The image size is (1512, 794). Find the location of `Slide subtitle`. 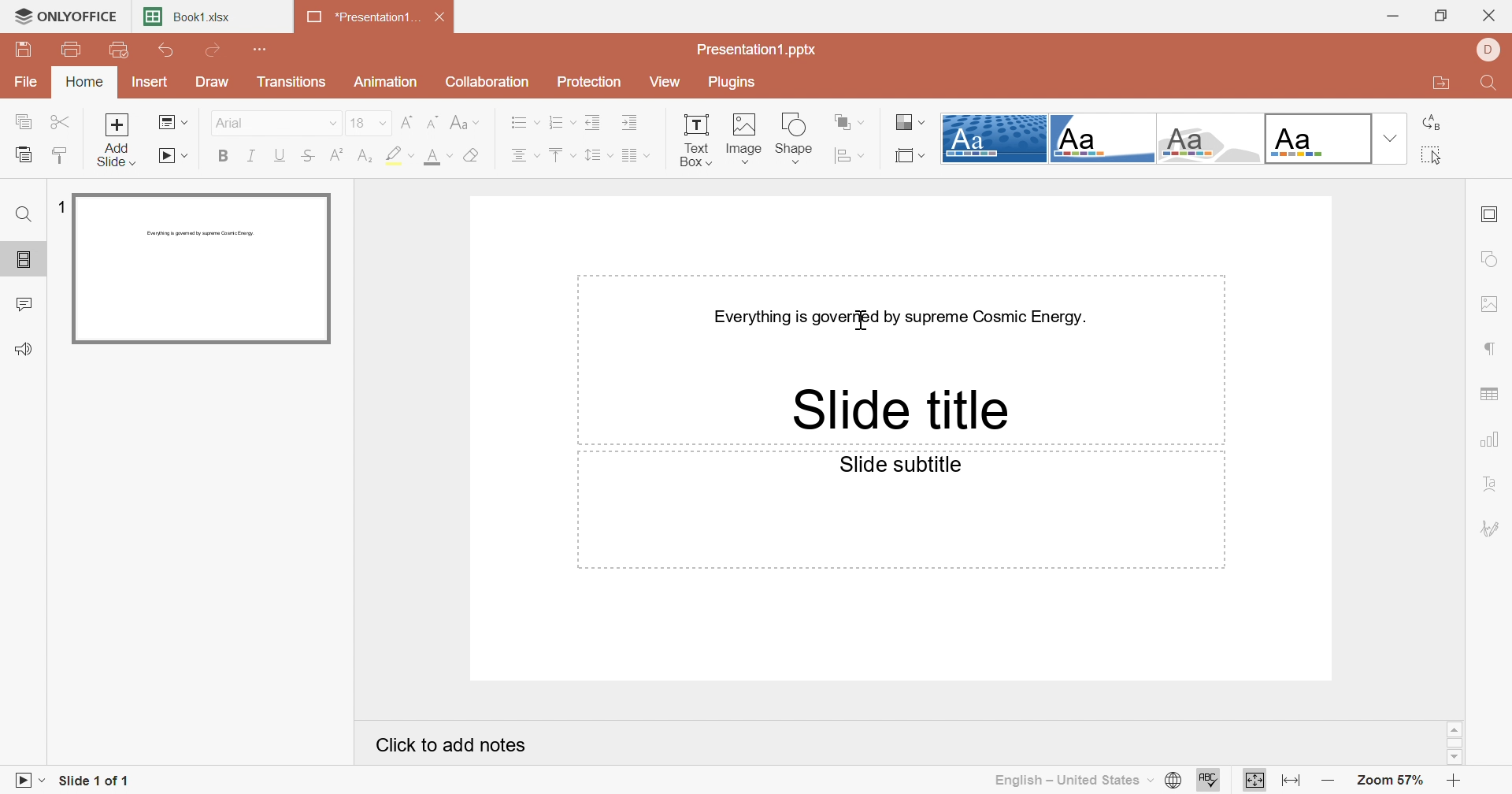

Slide subtitle is located at coordinates (891, 463).